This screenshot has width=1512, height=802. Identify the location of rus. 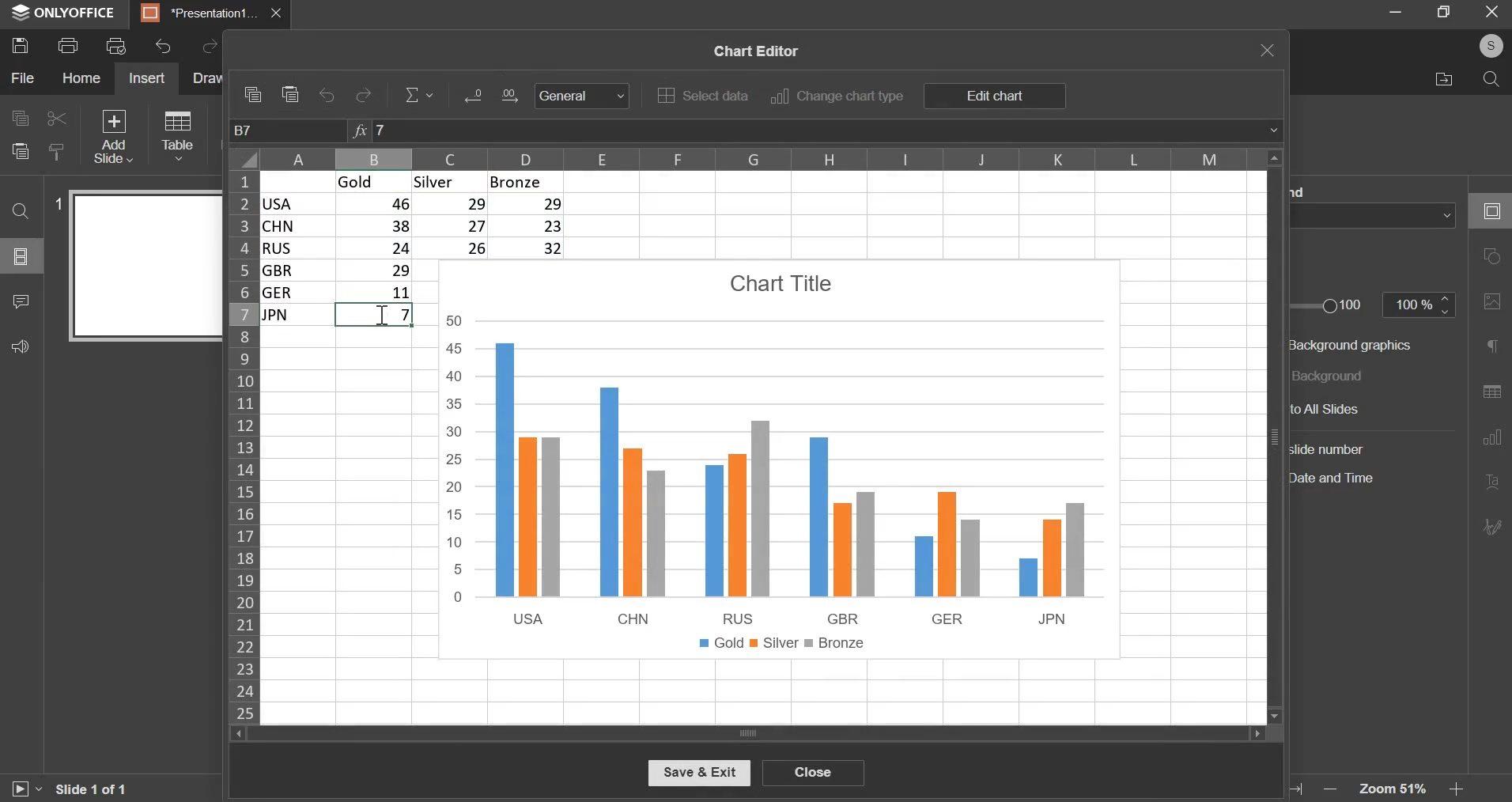
(296, 248).